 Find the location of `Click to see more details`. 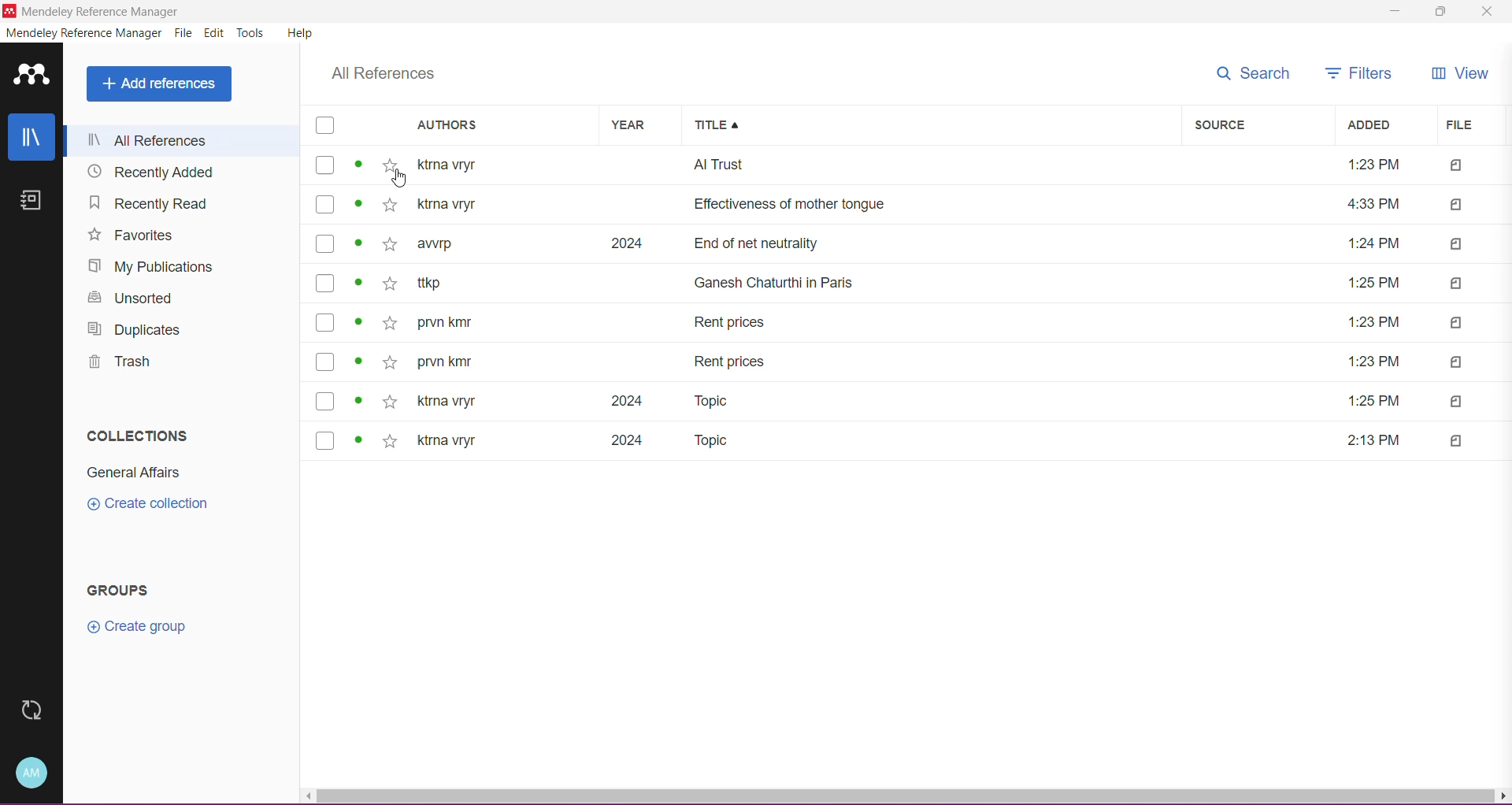

Click to see more details is located at coordinates (358, 440).